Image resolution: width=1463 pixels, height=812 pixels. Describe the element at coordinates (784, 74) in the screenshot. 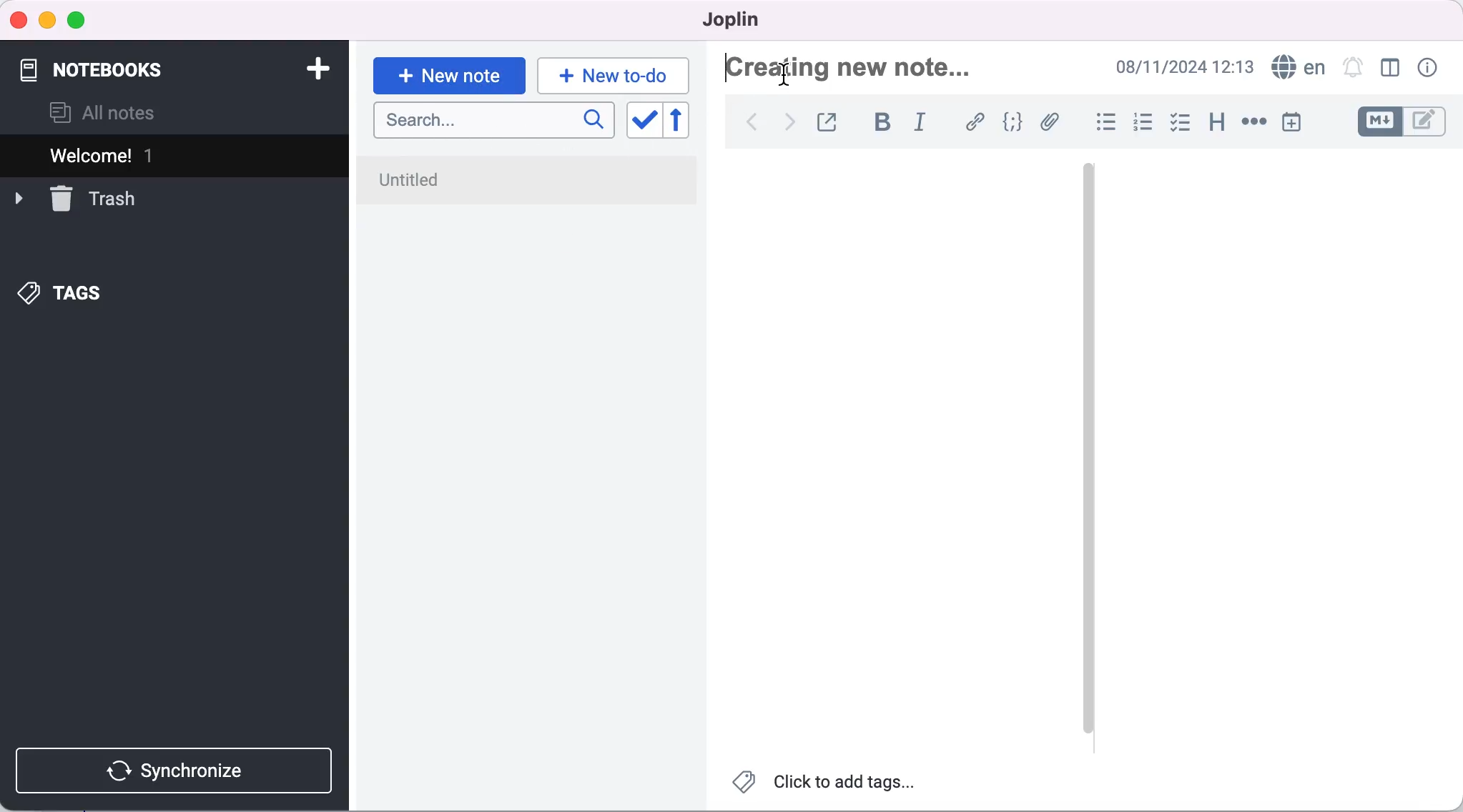

I see `cursor` at that location.